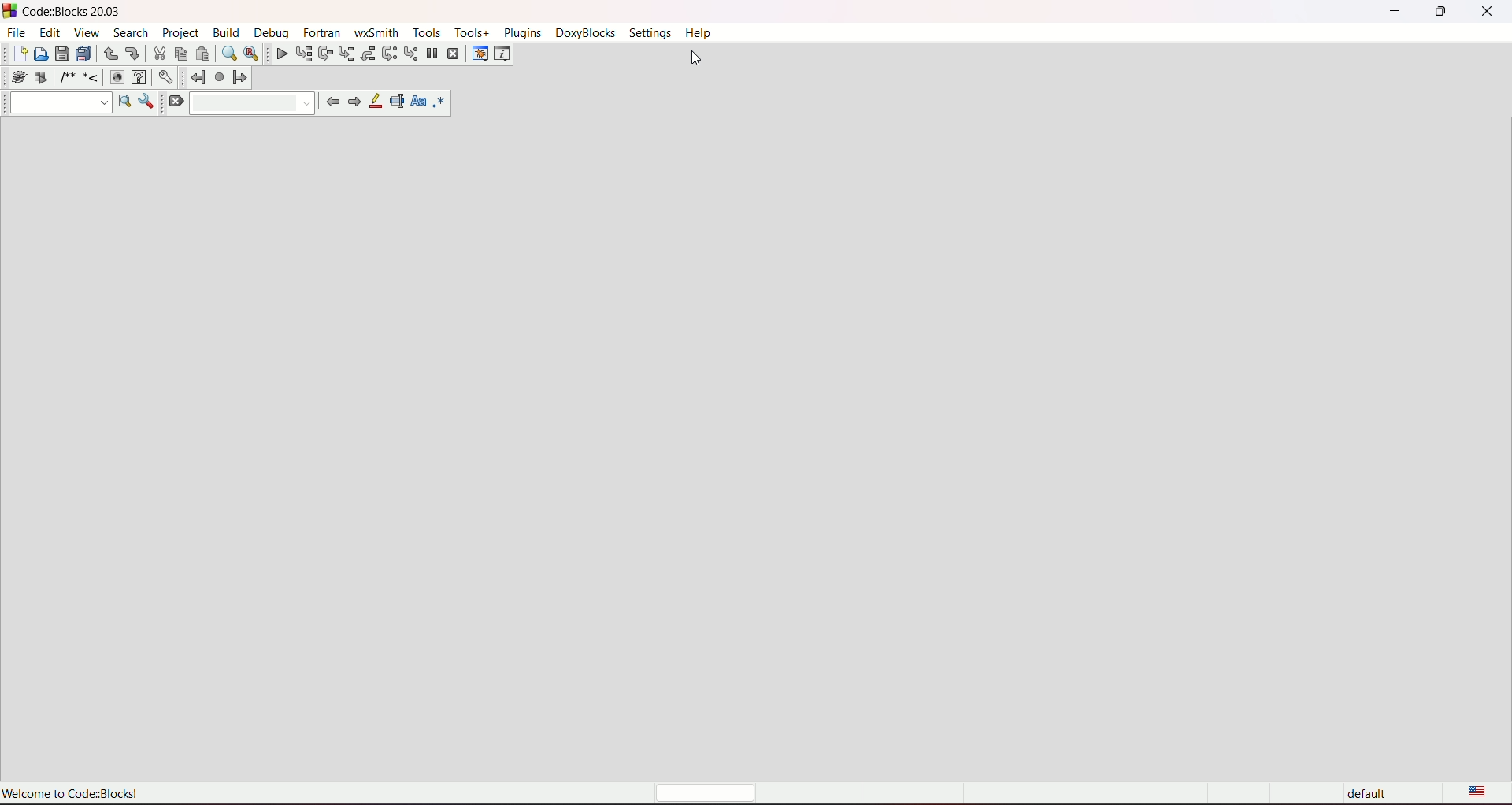 The image size is (1512, 805). What do you see at coordinates (1488, 12) in the screenshot?
I see `close` at bounding box center [1488, 12].